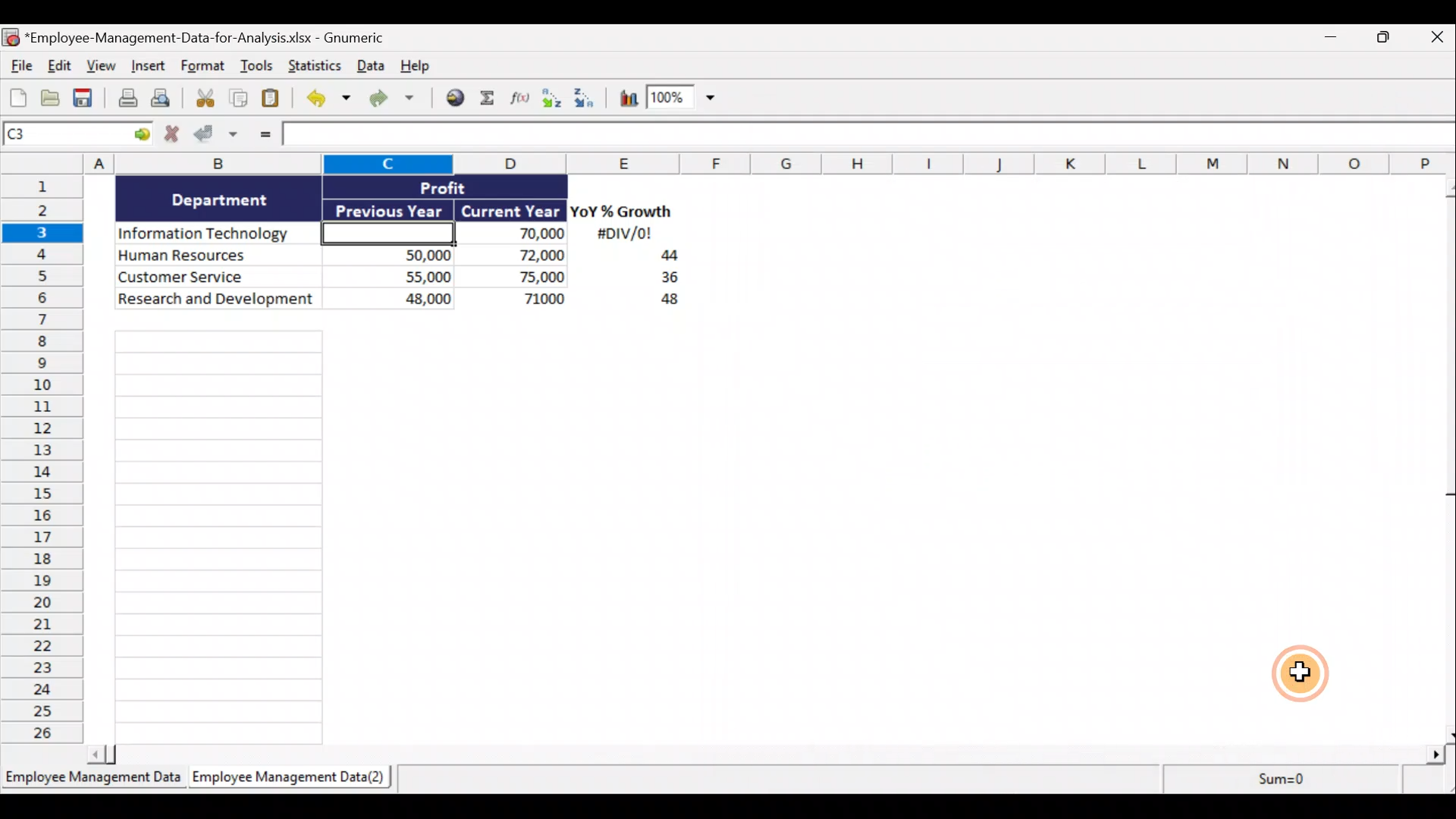 Image resolution: width=1456 pixels, height=819 pixels. Describe the element at coordinates (239, 99) in the screenshot. I see `Copy selection` at that location.